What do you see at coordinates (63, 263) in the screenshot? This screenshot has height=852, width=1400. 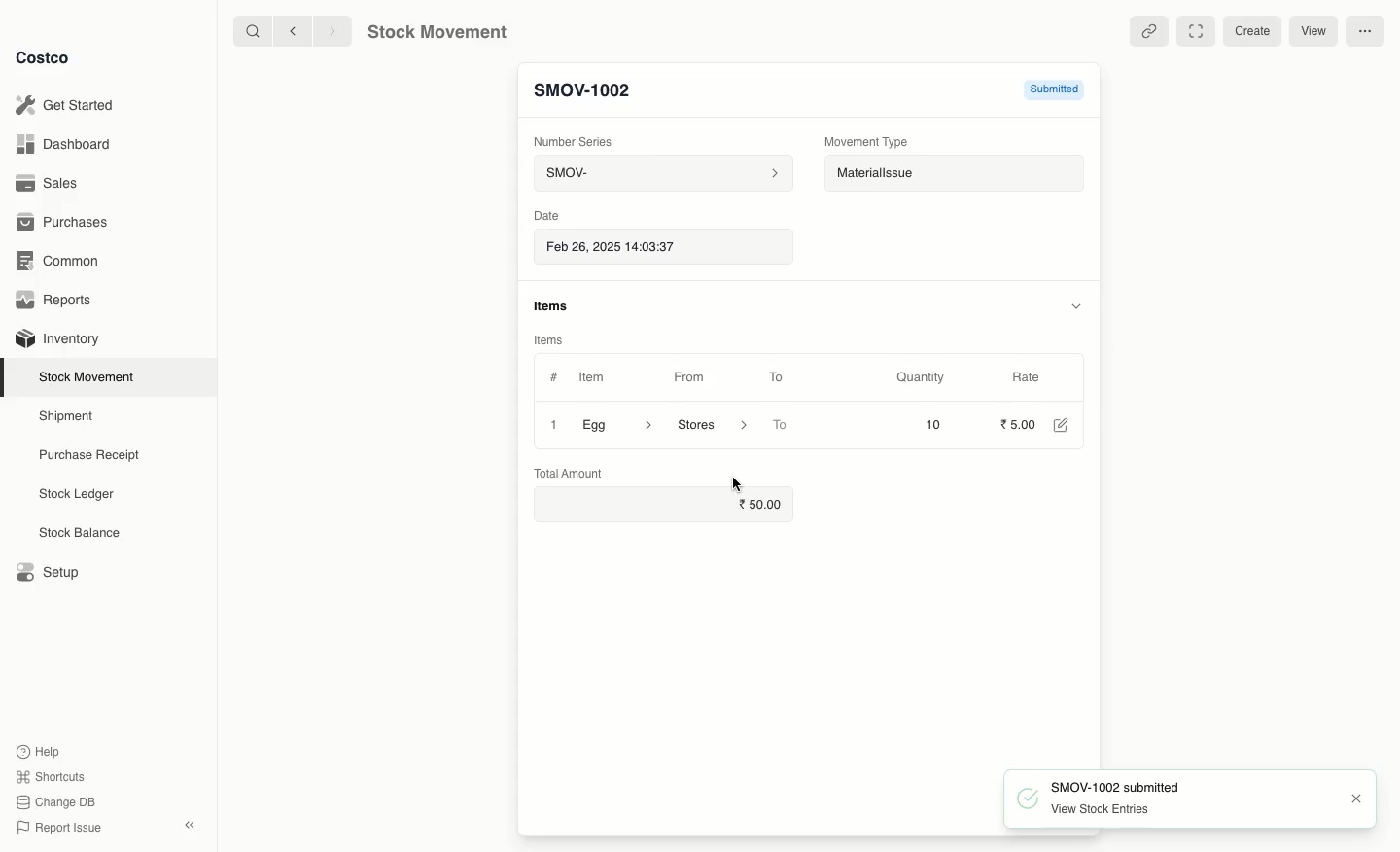 I see `Common` at bounding box center [63, 263].